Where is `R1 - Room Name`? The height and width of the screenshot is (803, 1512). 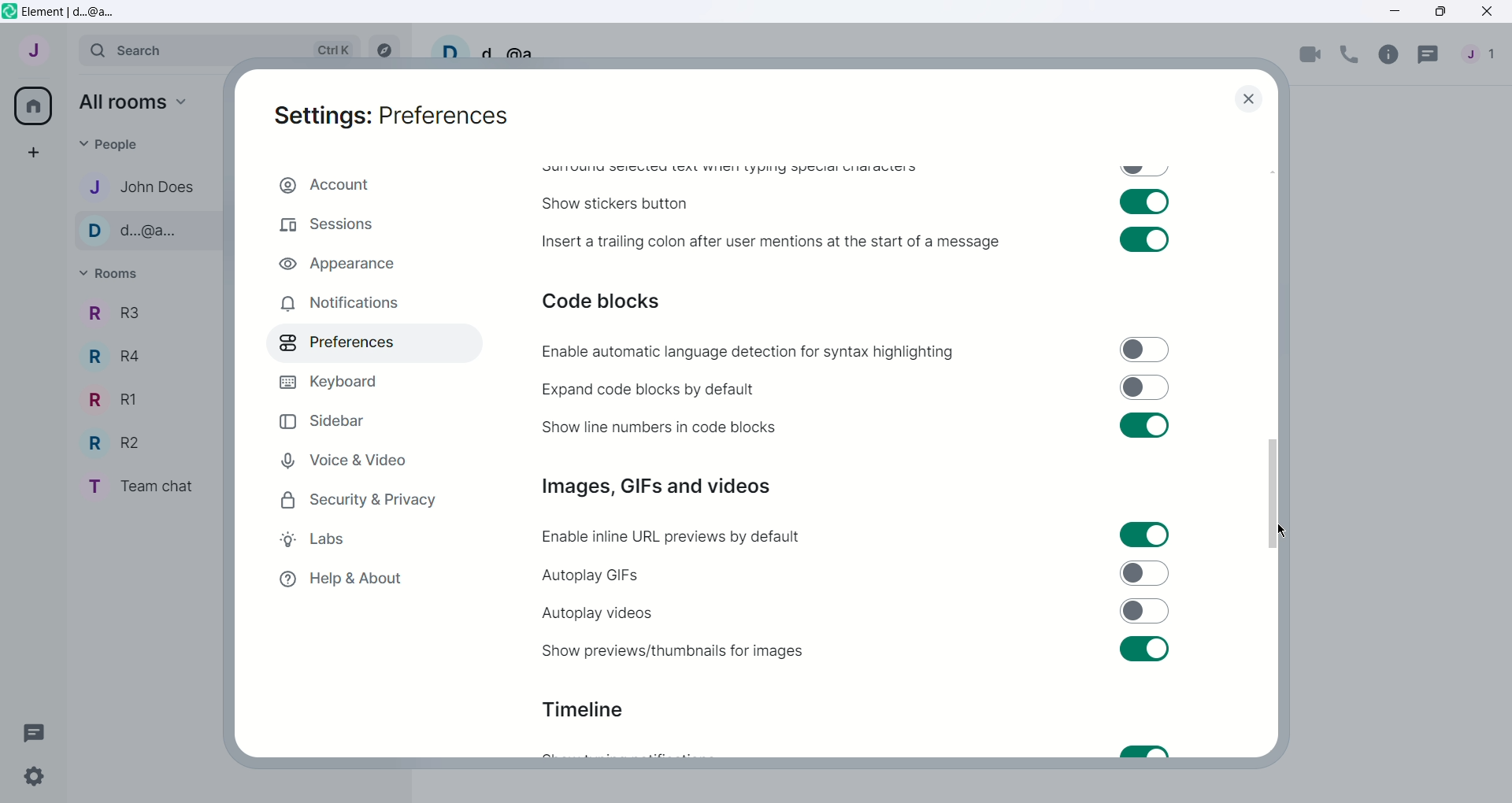 R1 - Room Name is located at coordinates (116, 399).